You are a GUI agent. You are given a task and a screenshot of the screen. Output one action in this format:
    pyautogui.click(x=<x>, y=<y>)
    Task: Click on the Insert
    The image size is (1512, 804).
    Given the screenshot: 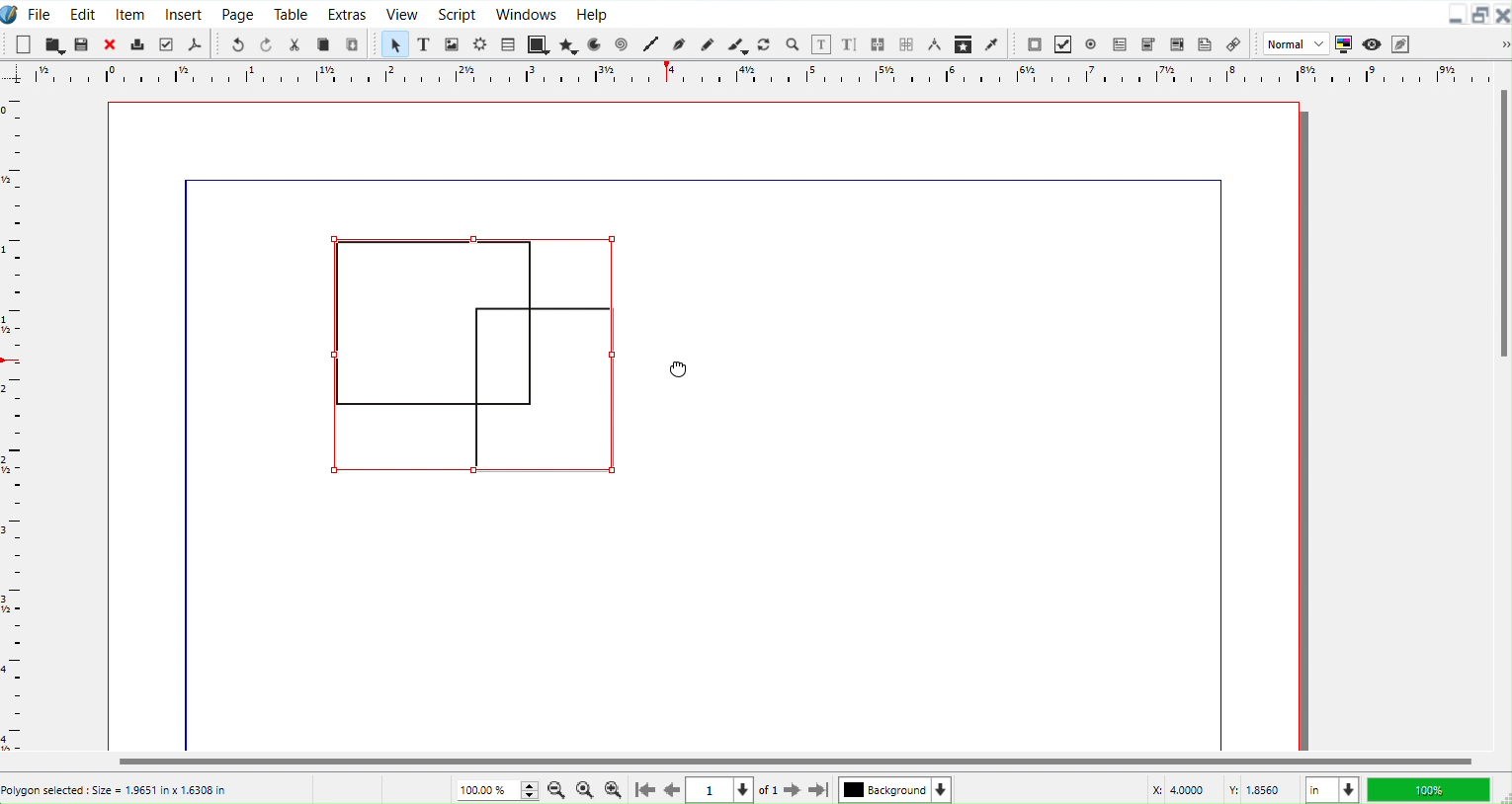 What is the action you would take?
    pyautogui.click(x=184, y=13)
    